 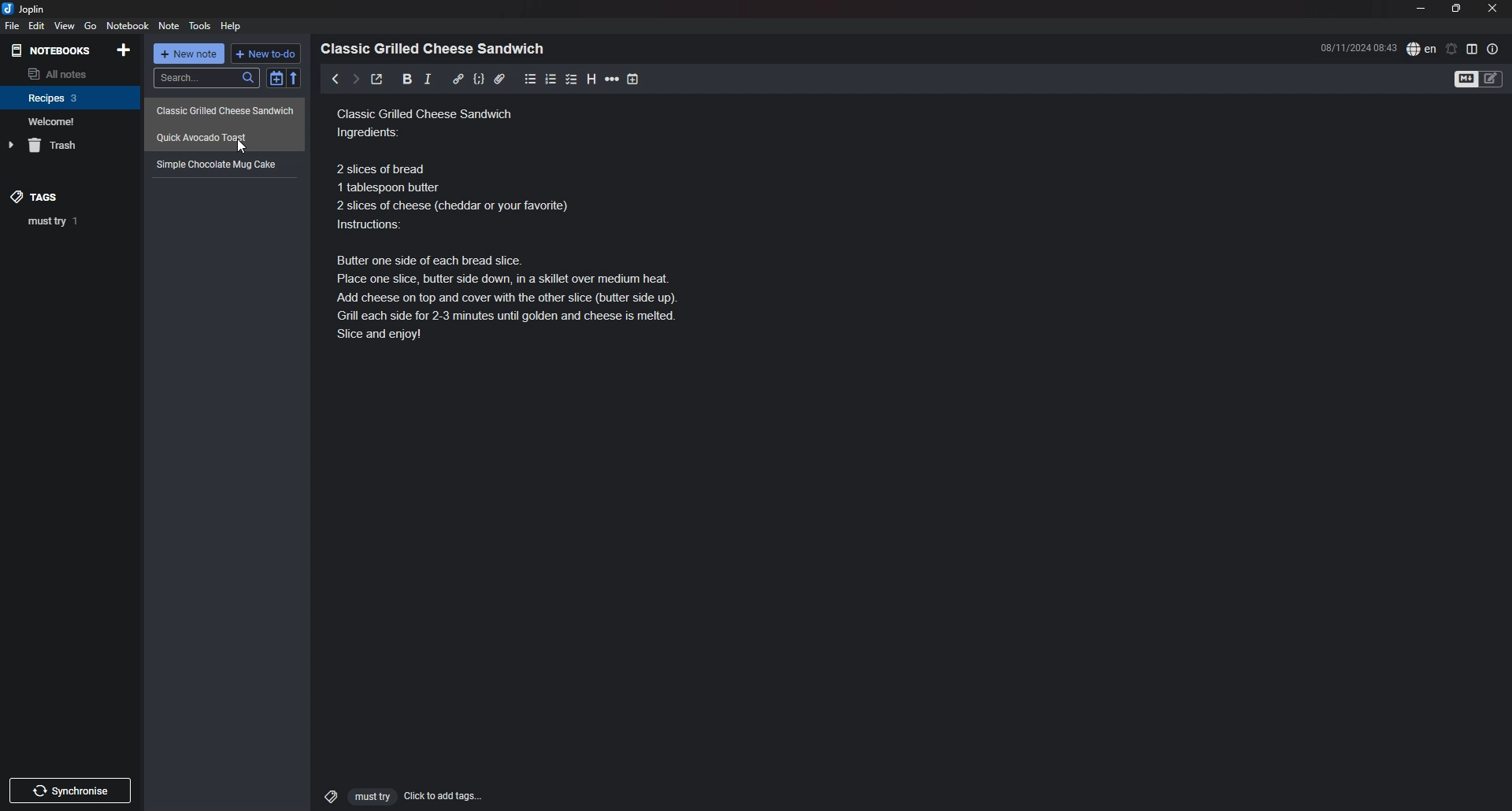 What do you see at coordinates (335, 79) in the screenshot?
I see `previous` at bounding box center [335, 79].